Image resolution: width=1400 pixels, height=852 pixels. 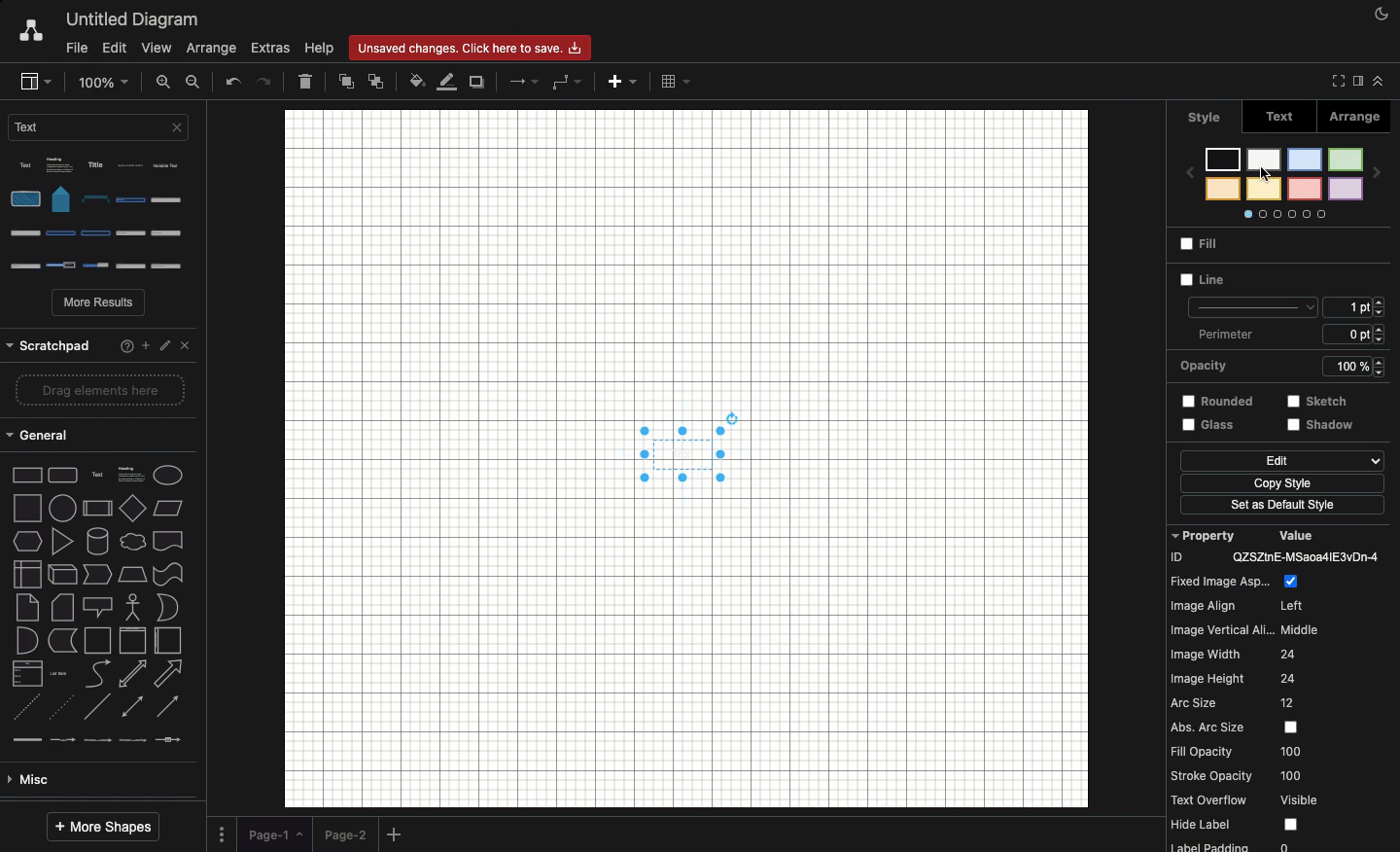 I want to click on shape, so click(x=99, y=438).